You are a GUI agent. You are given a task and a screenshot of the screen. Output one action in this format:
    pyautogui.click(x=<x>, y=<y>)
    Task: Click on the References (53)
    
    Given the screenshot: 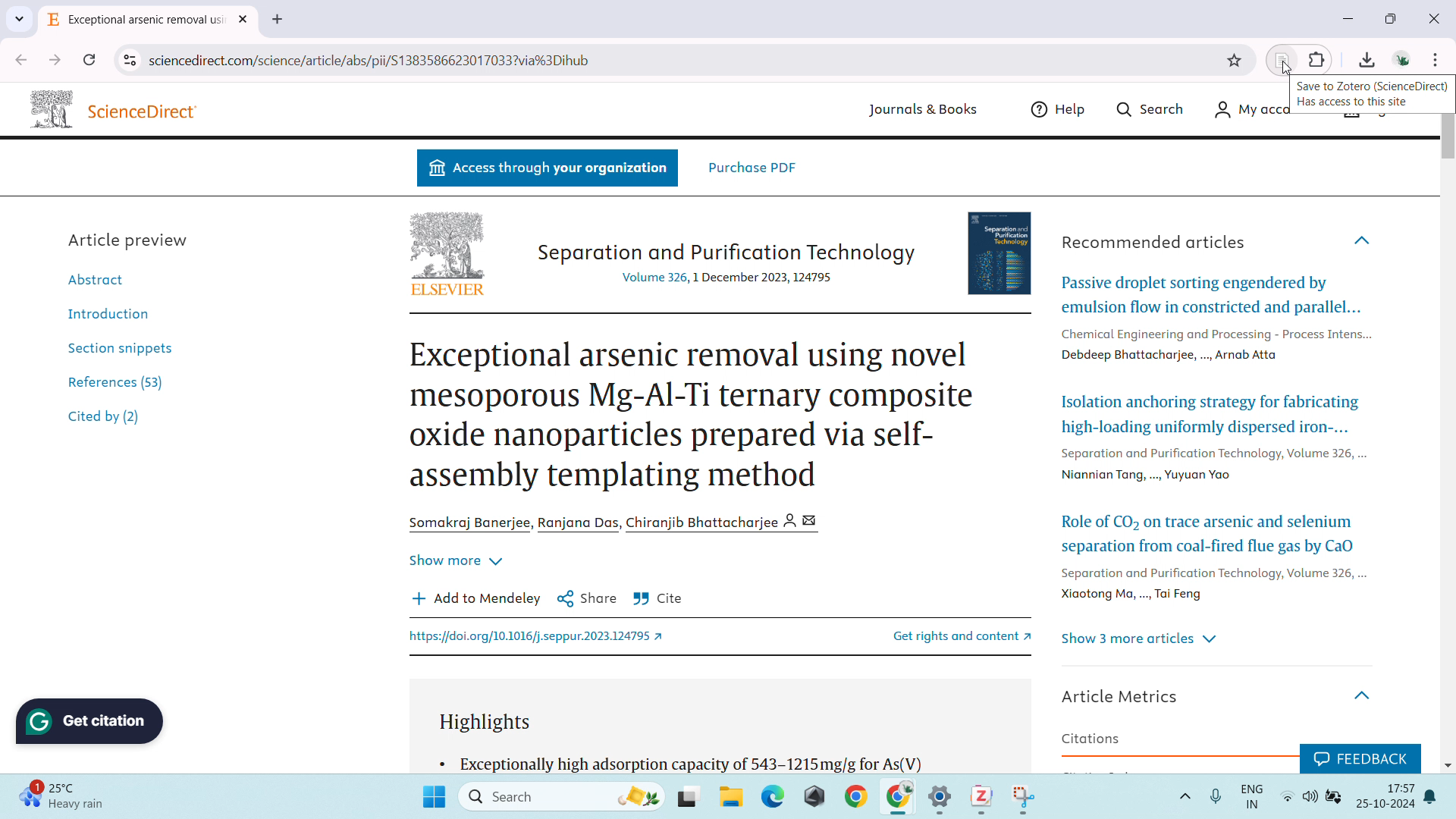 What is the action you would take?
    pyautogui.click(x=120, y=380)
    